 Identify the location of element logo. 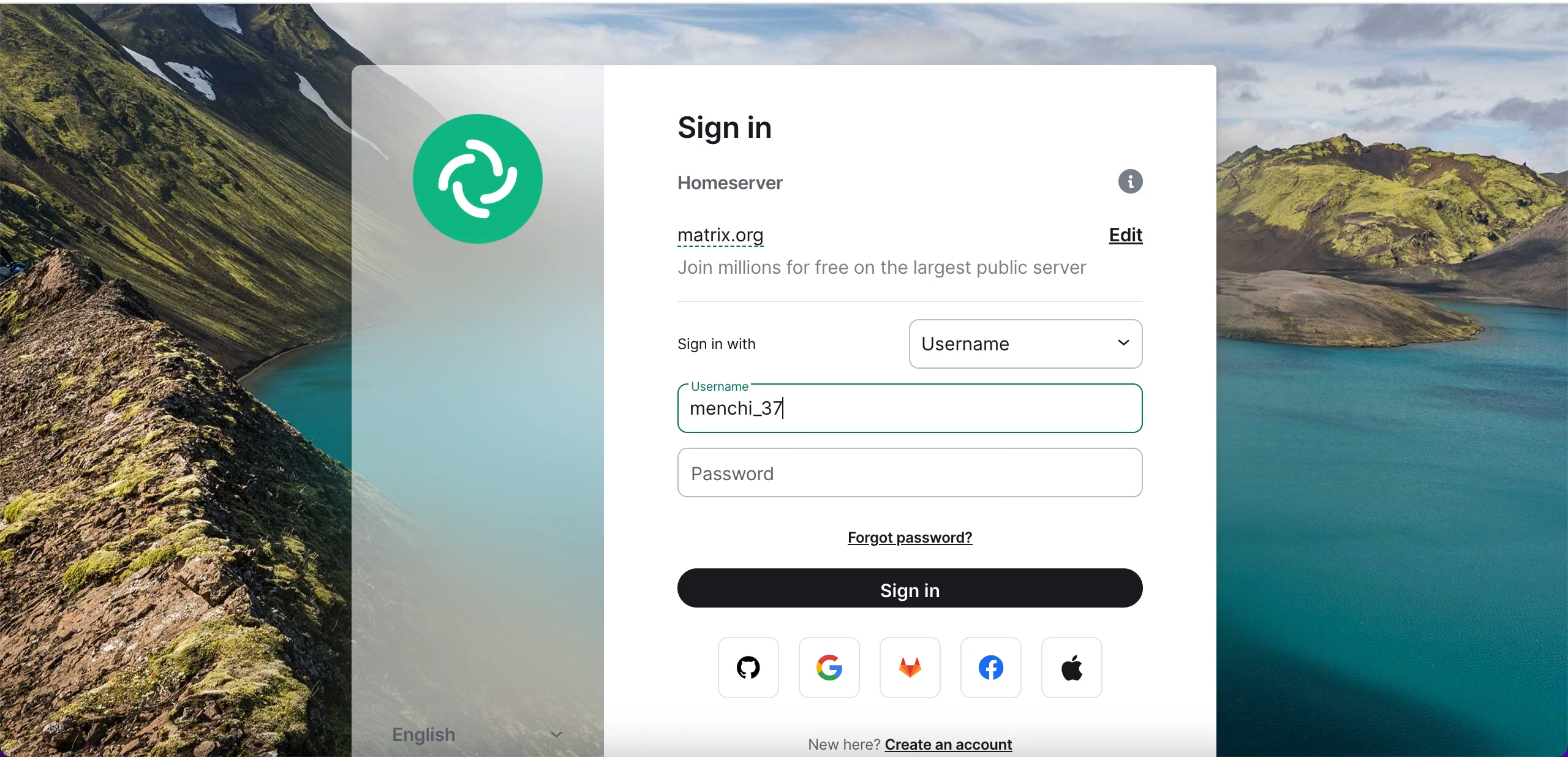
(493, 197).